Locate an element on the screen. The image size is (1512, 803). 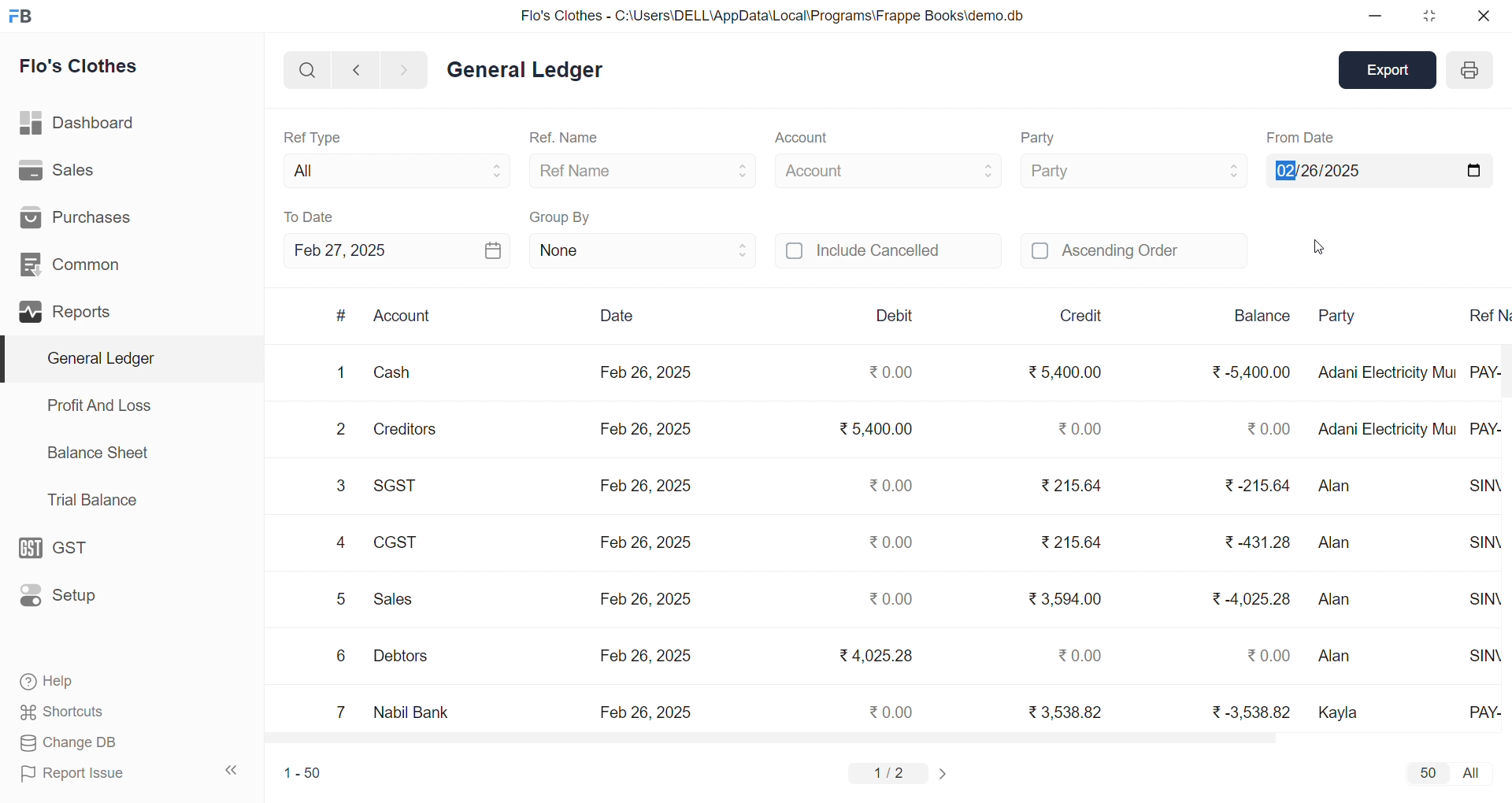
2 is located at coordinates (341, 428).